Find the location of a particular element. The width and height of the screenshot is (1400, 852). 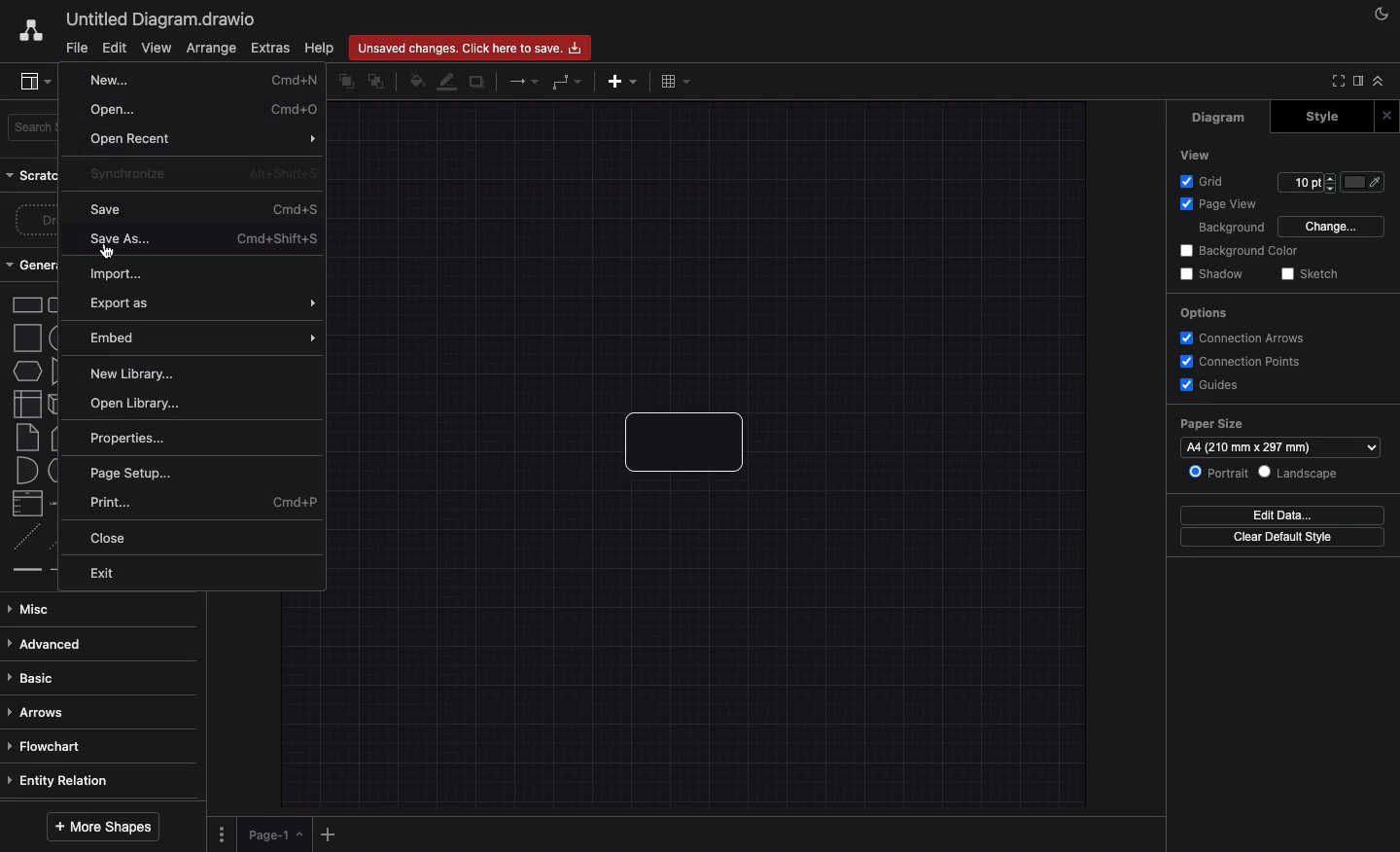

Fill is located at coordinates (1370, 183).